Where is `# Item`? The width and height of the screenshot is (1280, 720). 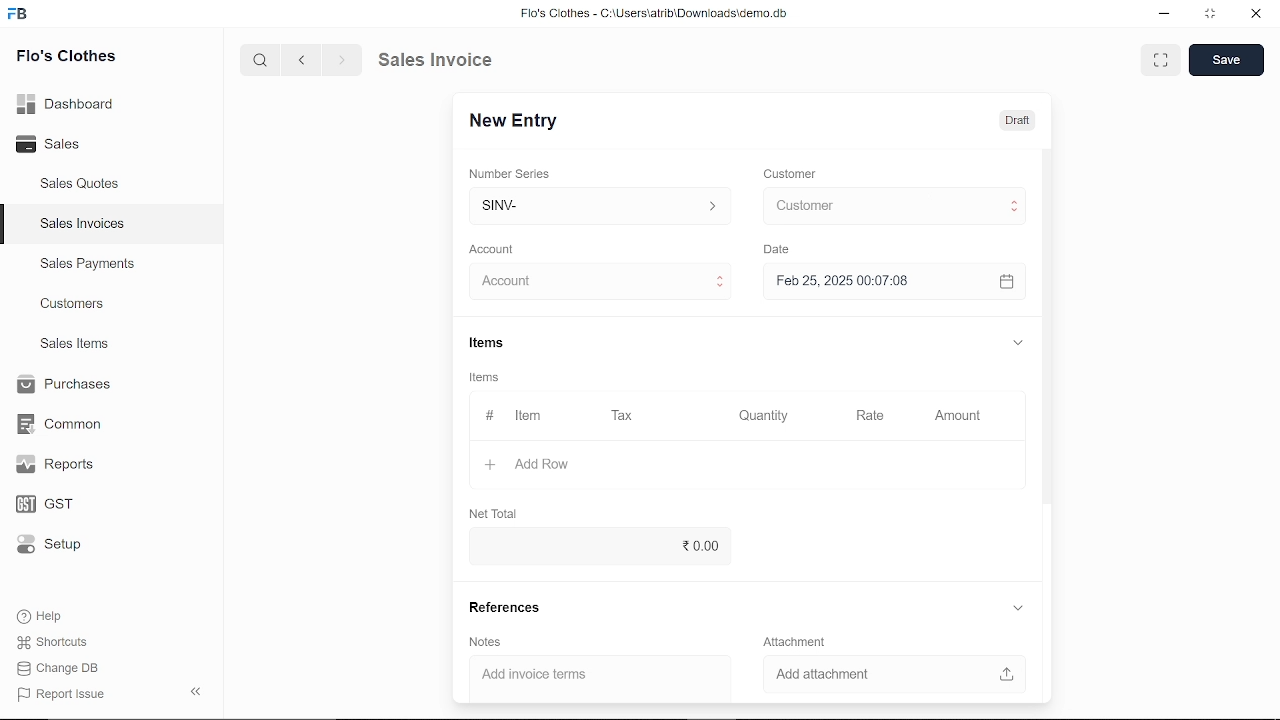 # Item is located at coordinates (513, 417).